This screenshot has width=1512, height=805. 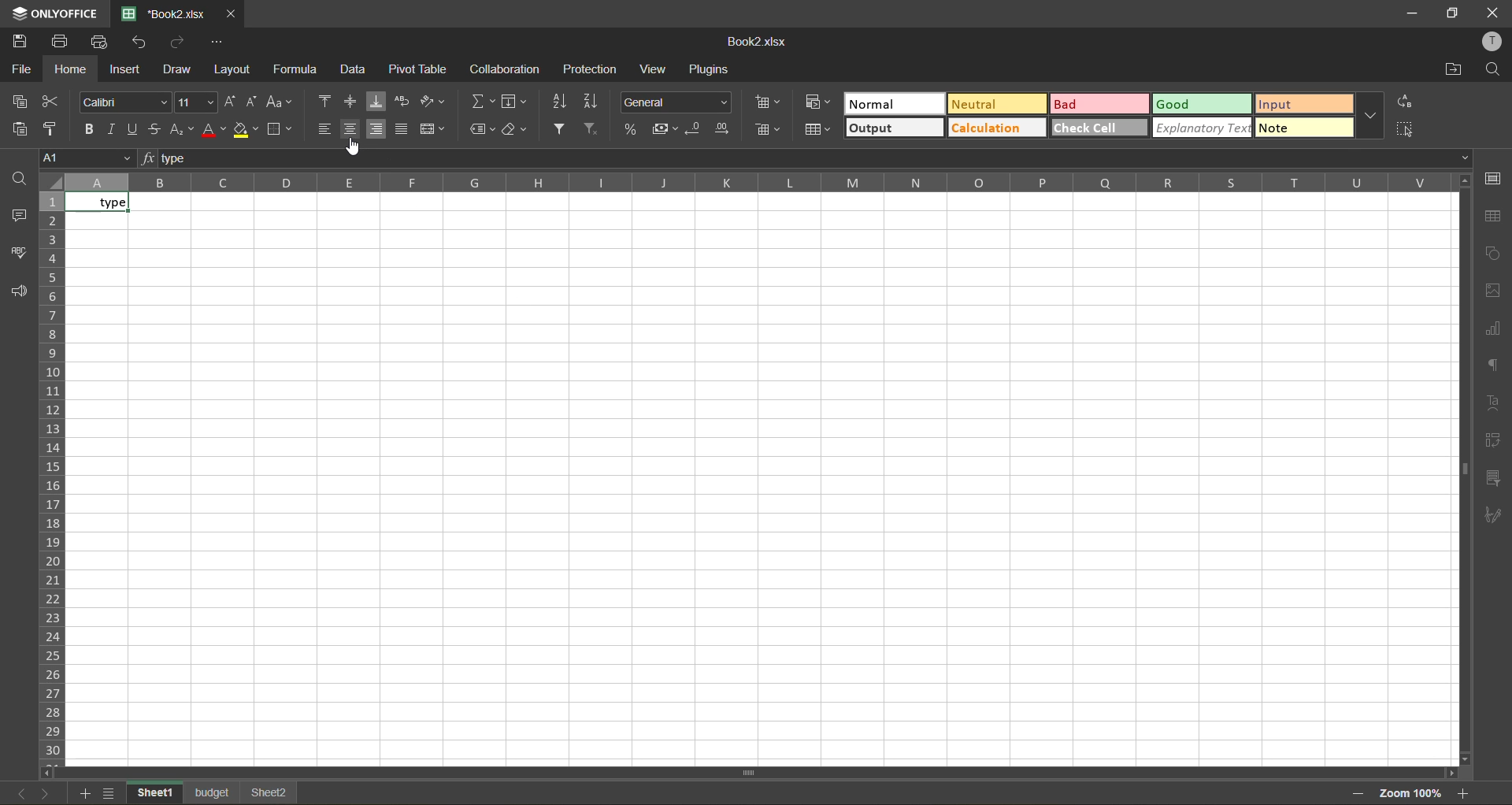 I want to click on clear filter, so click(x=591, y=129).